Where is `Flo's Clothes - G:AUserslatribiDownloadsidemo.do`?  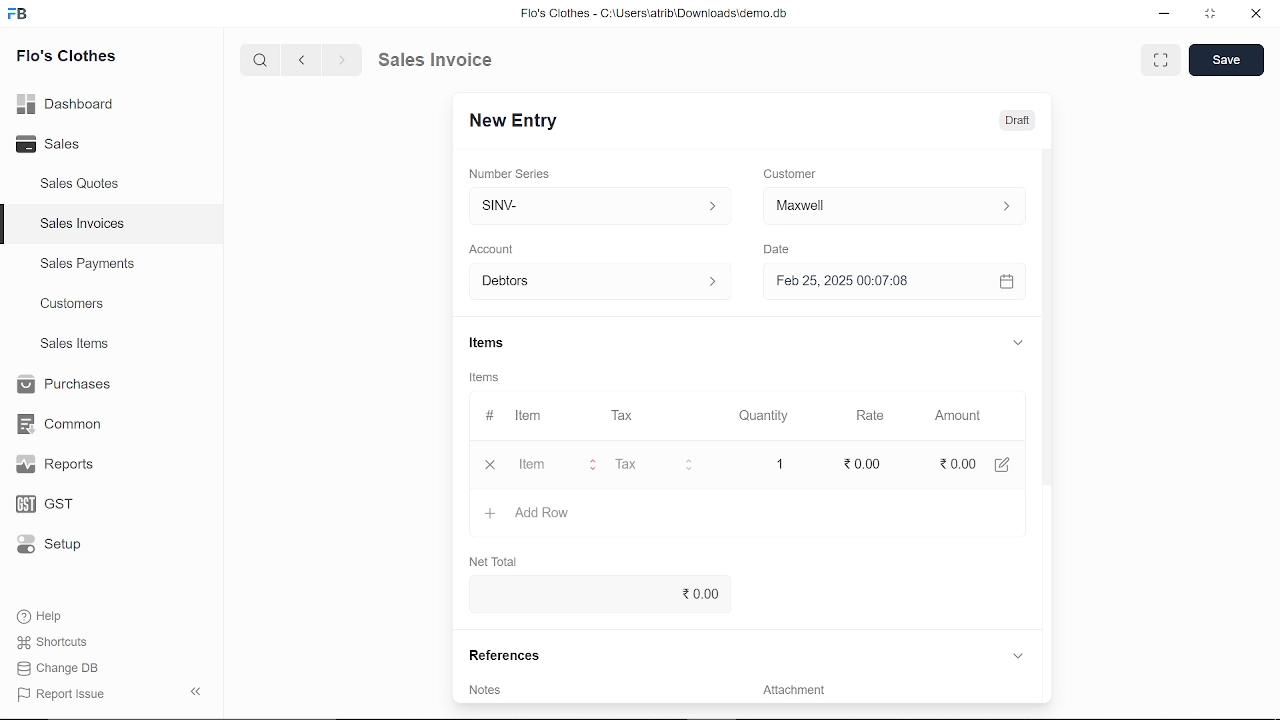
Flo's Clothes - G:AUserslatribiDownloadsidemo.do is located at coordinates (651, 13).